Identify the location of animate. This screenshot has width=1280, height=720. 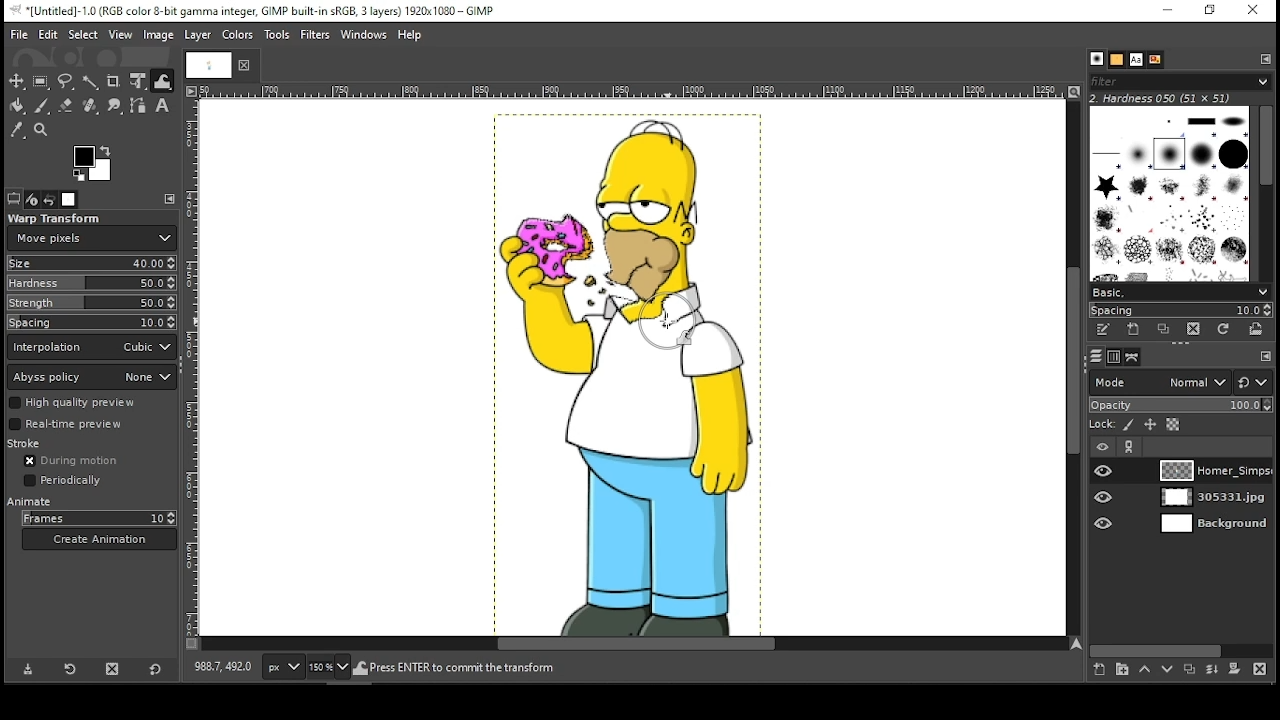
(31, 504).